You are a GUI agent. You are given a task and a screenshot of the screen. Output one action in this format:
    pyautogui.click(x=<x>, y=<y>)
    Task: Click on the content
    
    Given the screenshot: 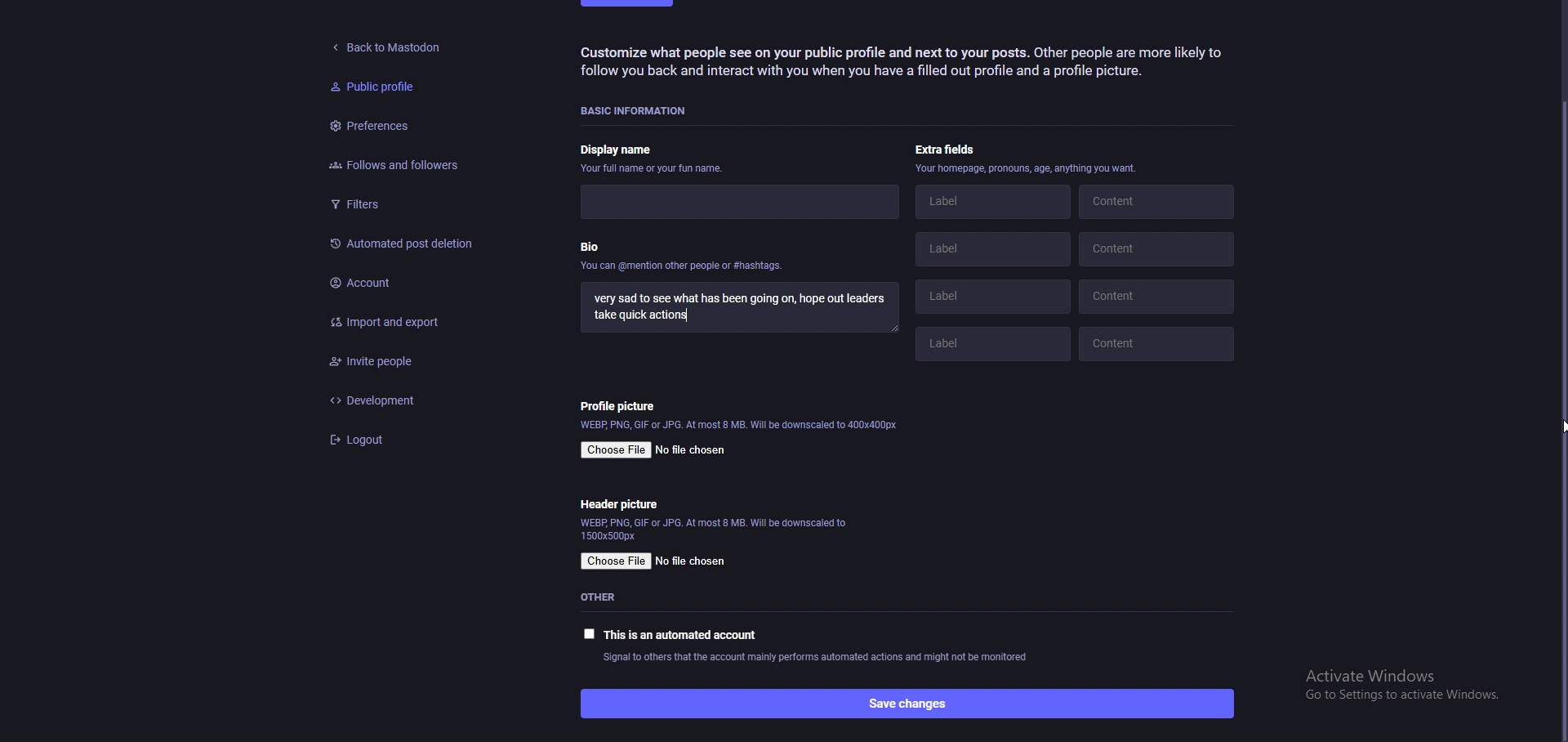 What is the action you would take?
    pyautogui.click(x=1159, y=205)
    